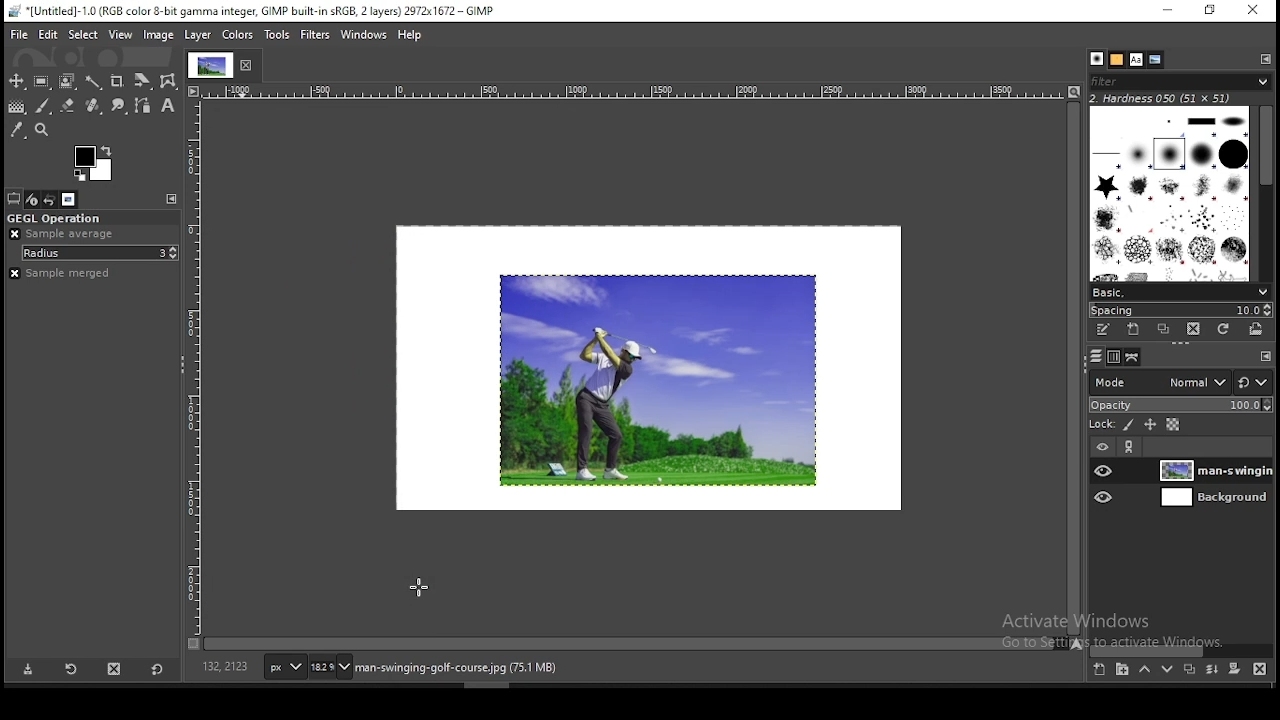 This screenshot has width=1280, height=720. I want to click on colors, so click(239, 35).